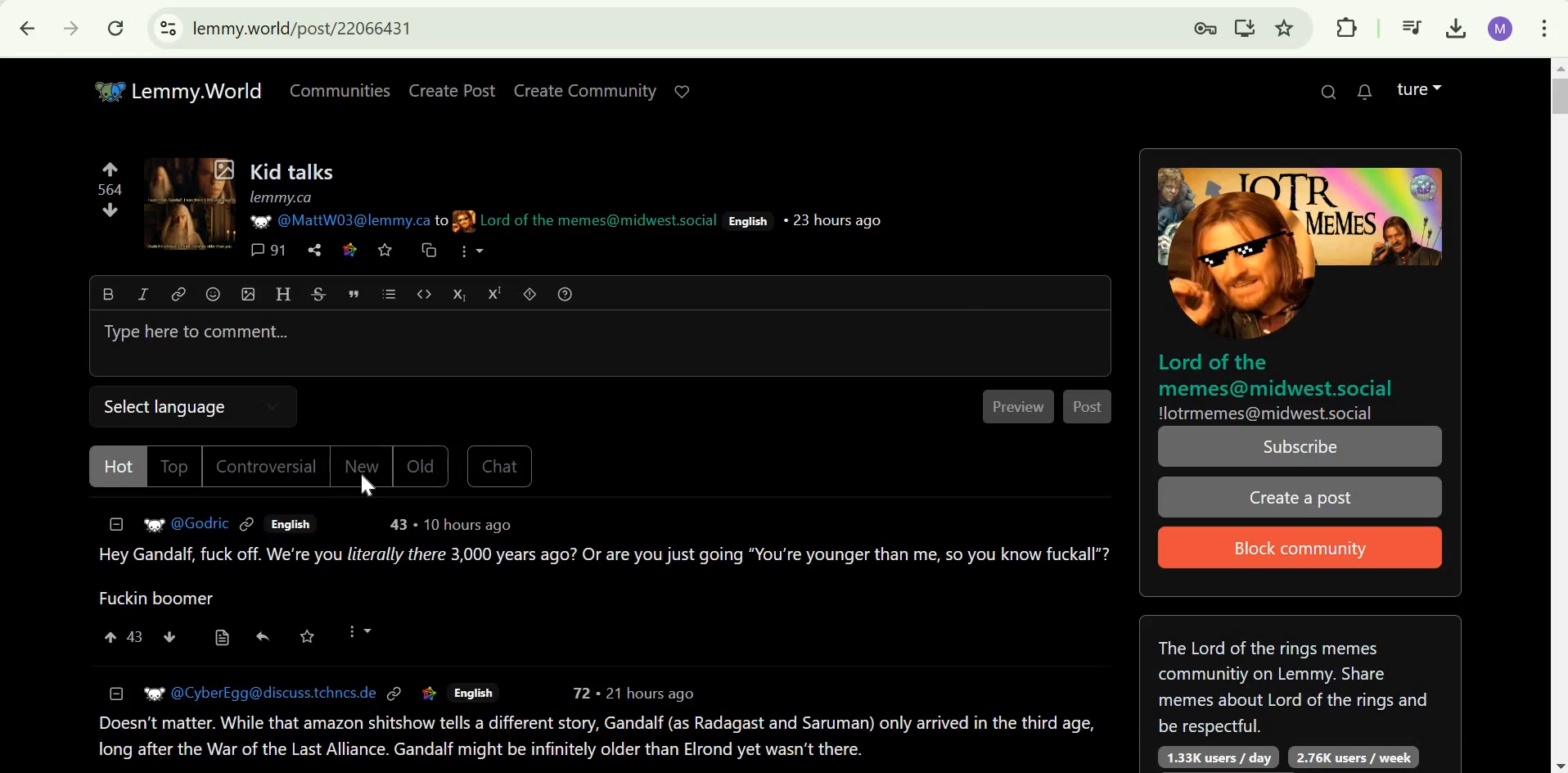 This screenshot has width=1568, height=773. Describe the element at coordinates (175, 468) in the screenshot. I see `top` at that location.